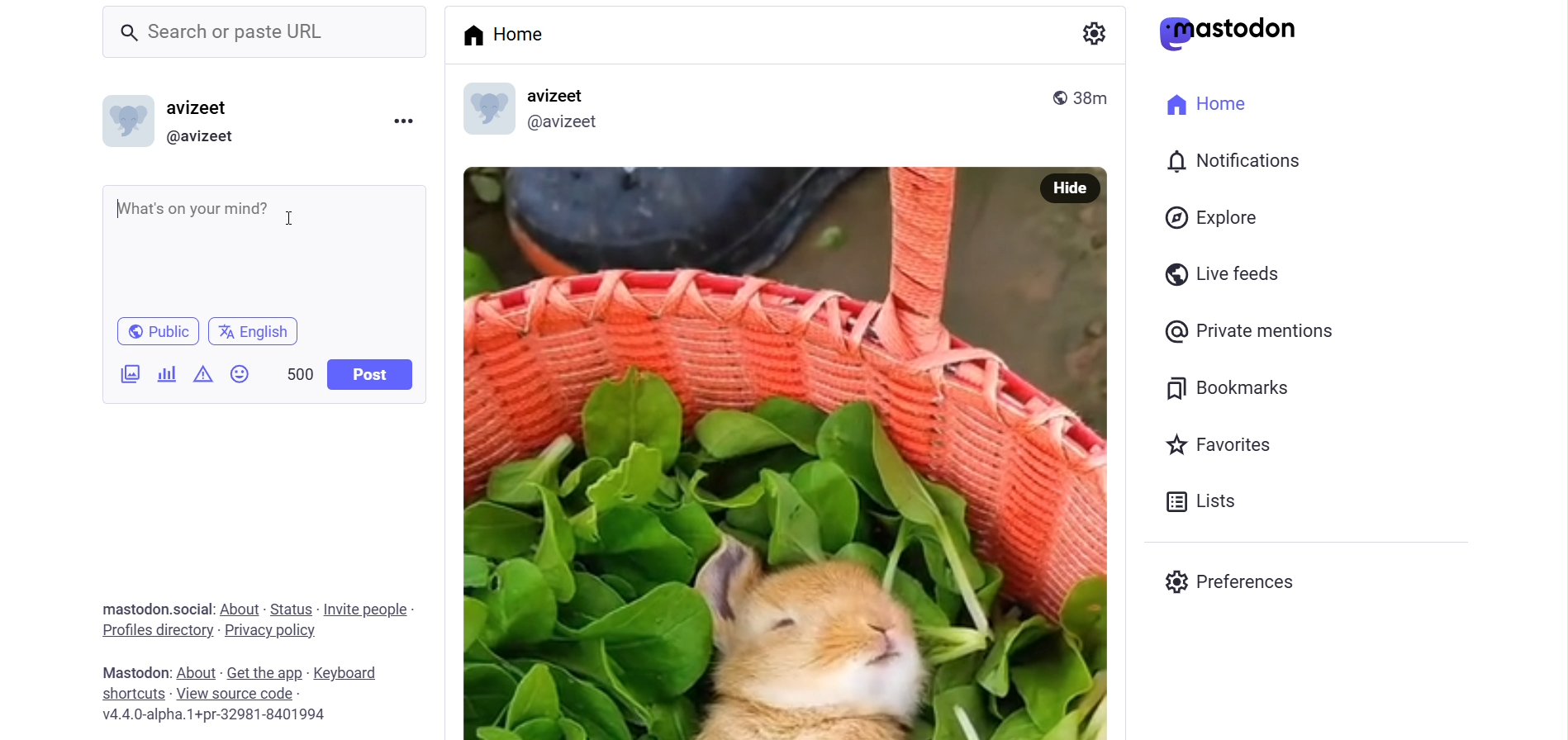  Describe the element at coordinates (1070, 189) in the screenshot. I see `Hide Image` at that location.